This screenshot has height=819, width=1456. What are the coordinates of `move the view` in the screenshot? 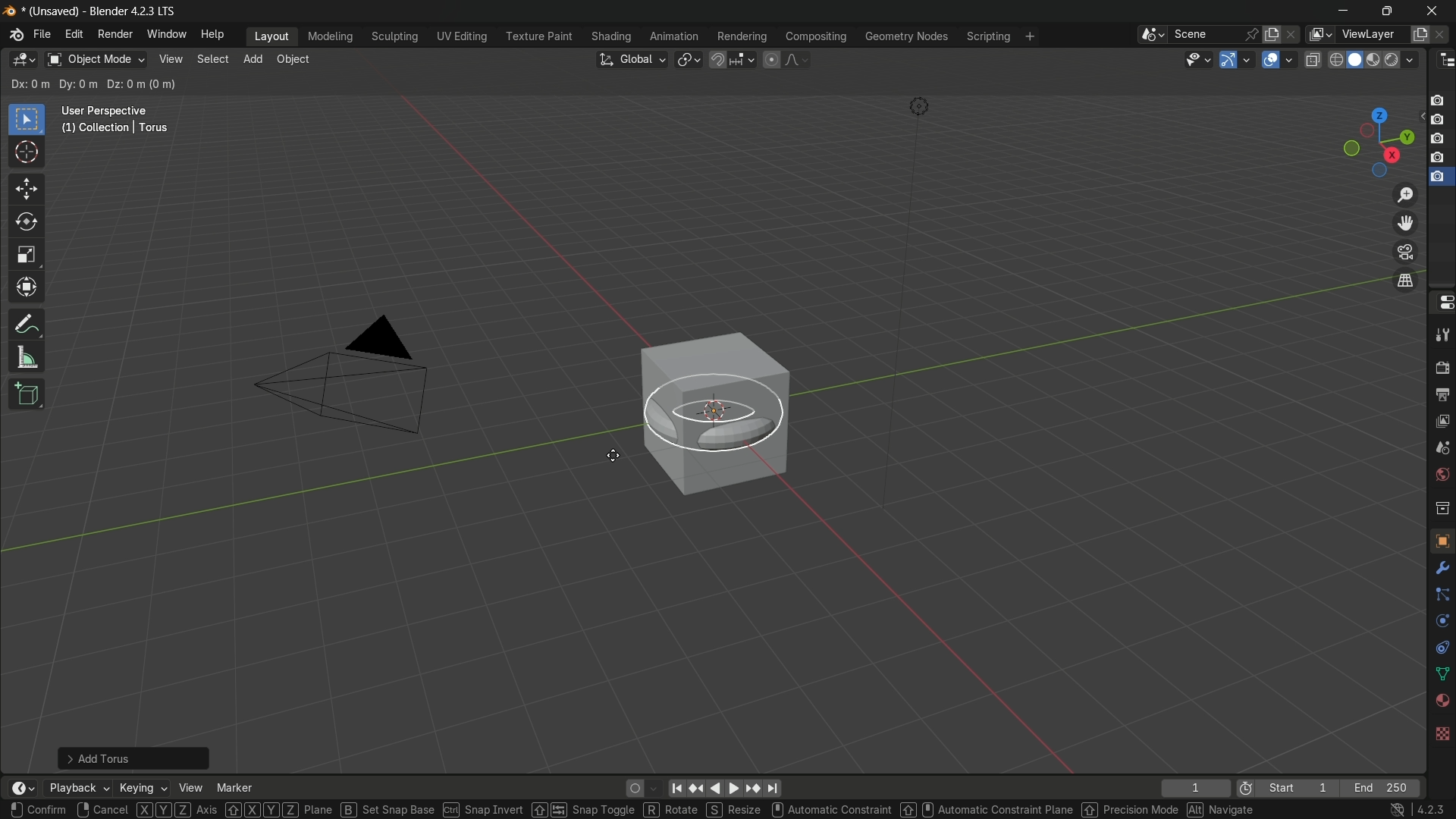 It's located at (1404, 224).